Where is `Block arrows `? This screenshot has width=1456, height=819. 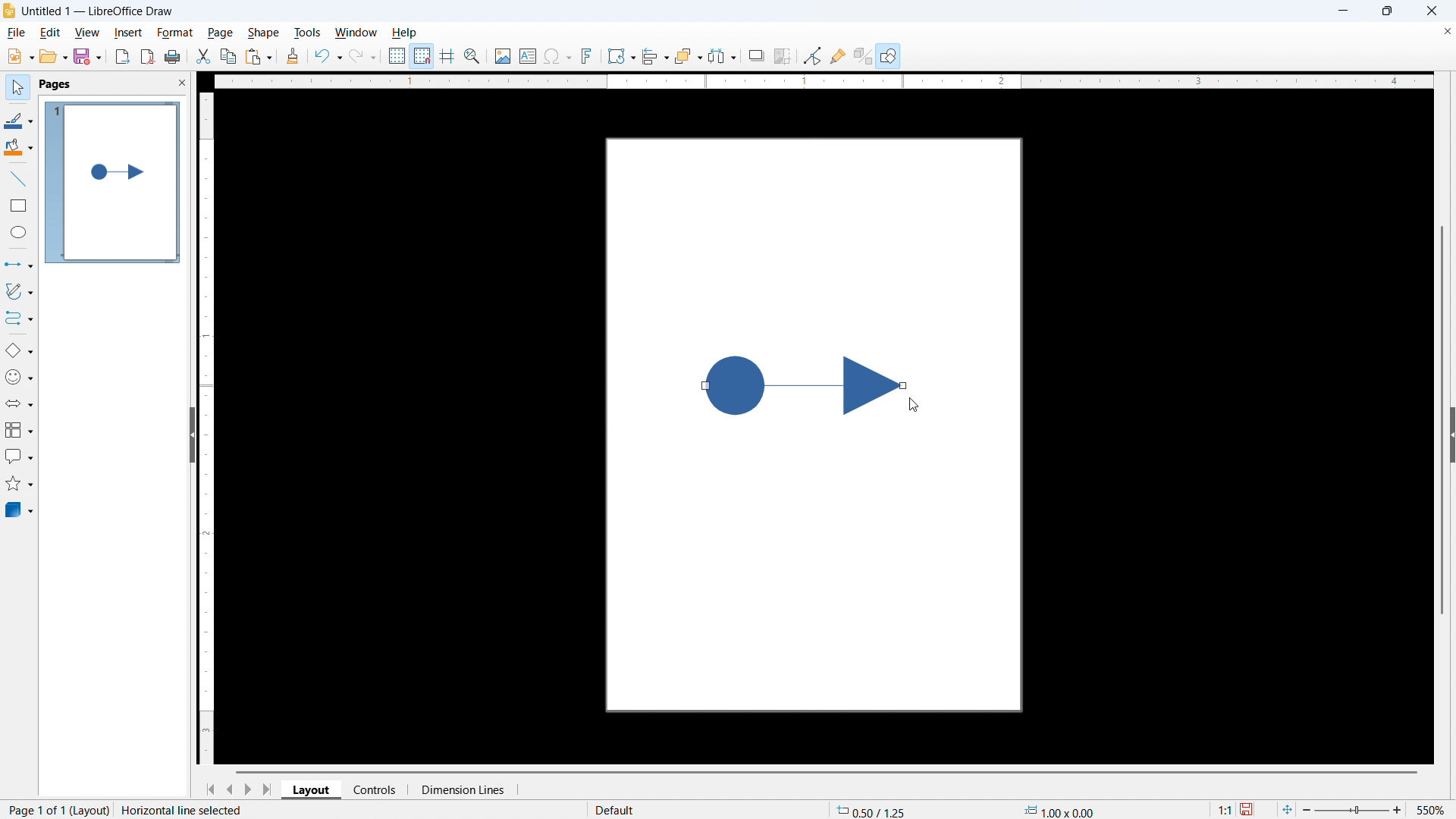
Block arrows  is located at coordinates (20, 404).